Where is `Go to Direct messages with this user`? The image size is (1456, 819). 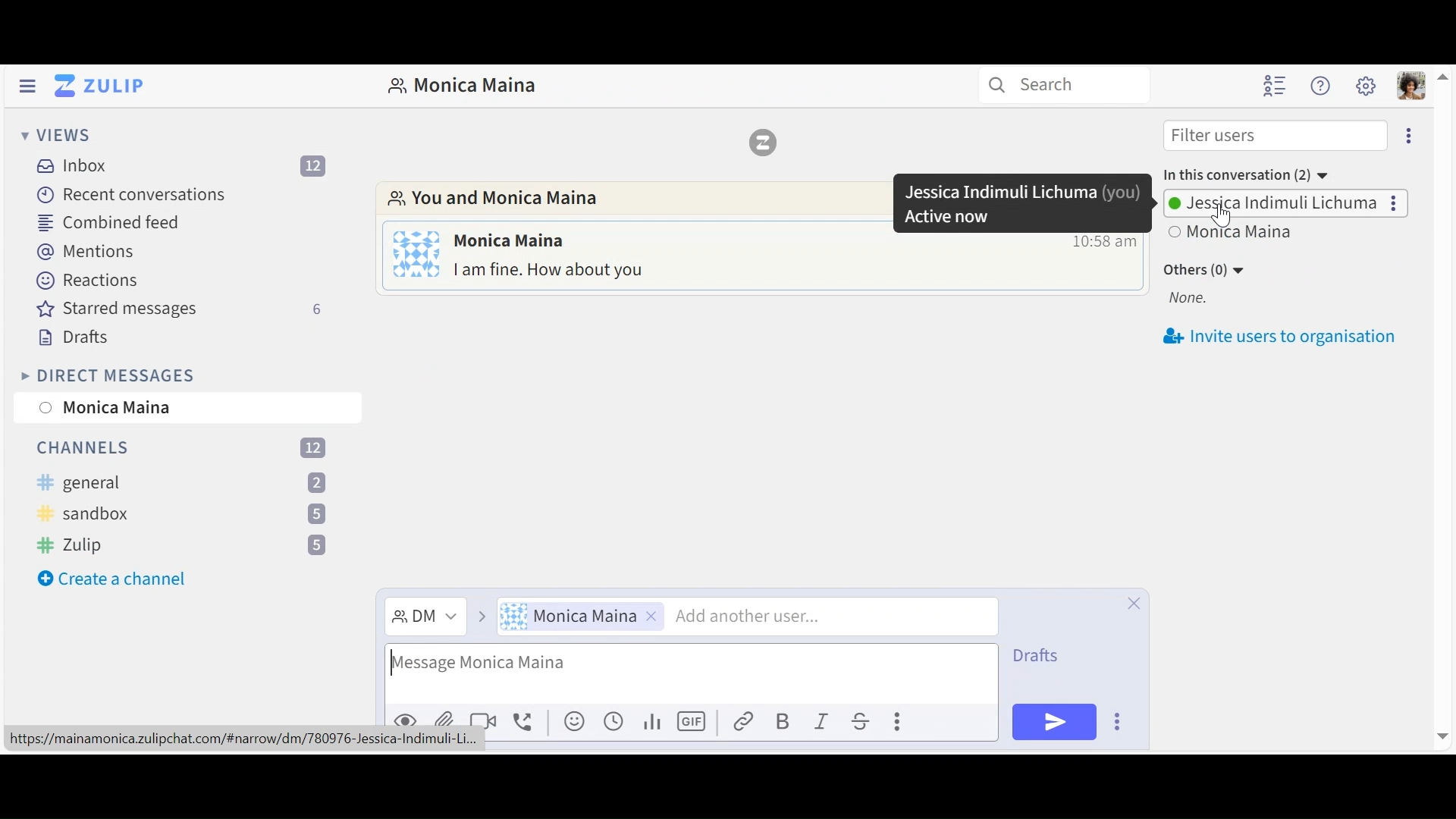
Go to Direct messages with this user is located at coordinates (495, 201).